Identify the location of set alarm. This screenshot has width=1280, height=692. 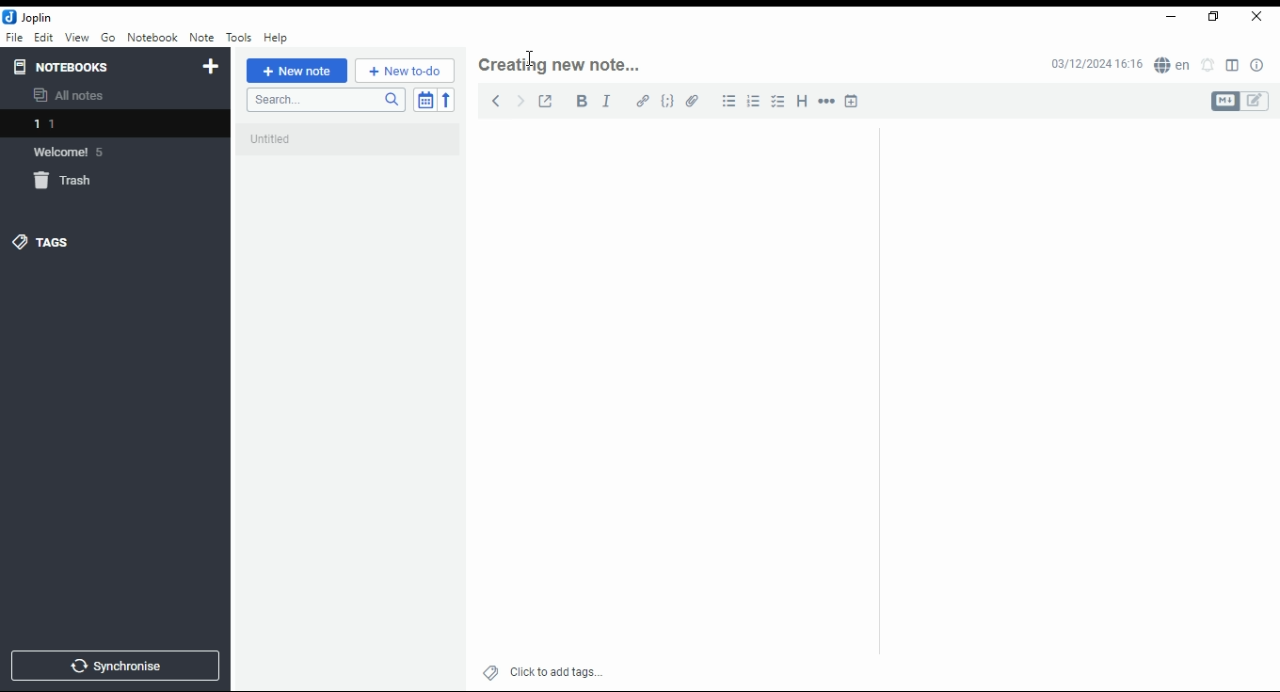
(1209, 65).